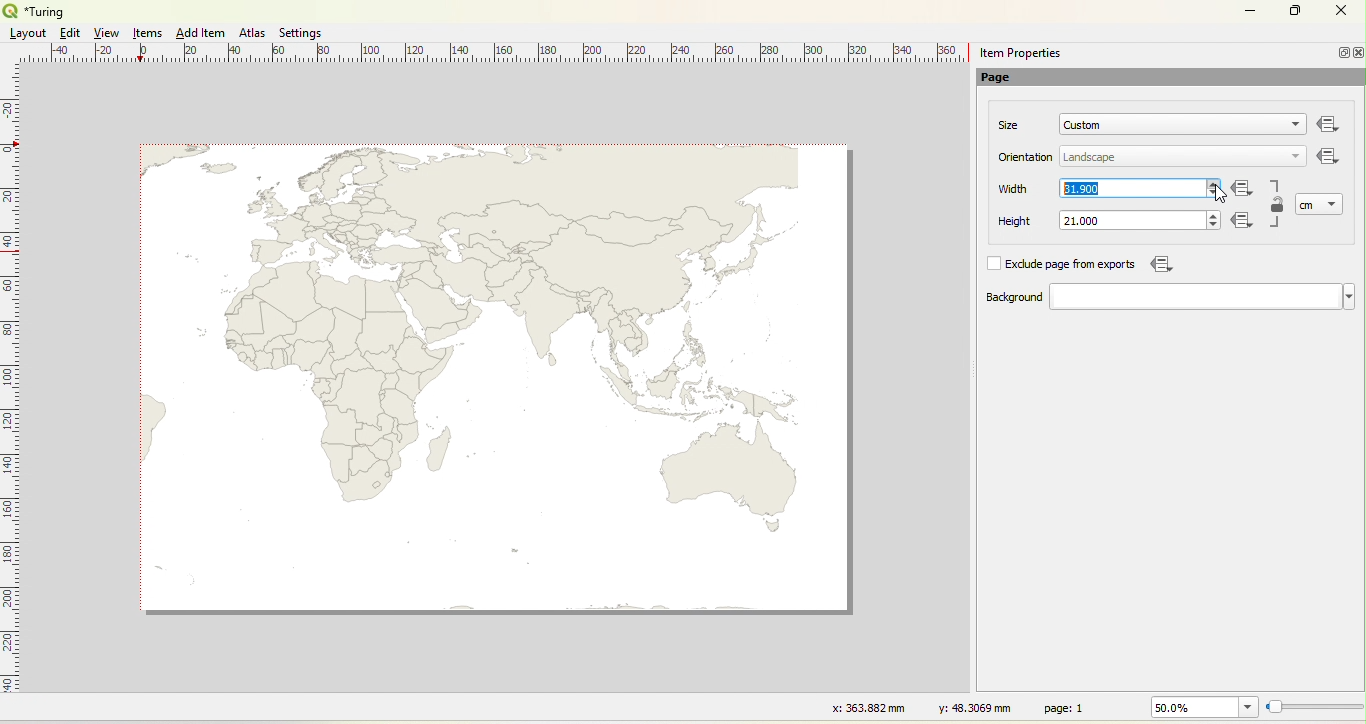 This screenshot has height=724, width=1366. What do you see at coordinates (1202, 297) in the screenshot?
I see `dropdown` at bounding box center [1202, 297].